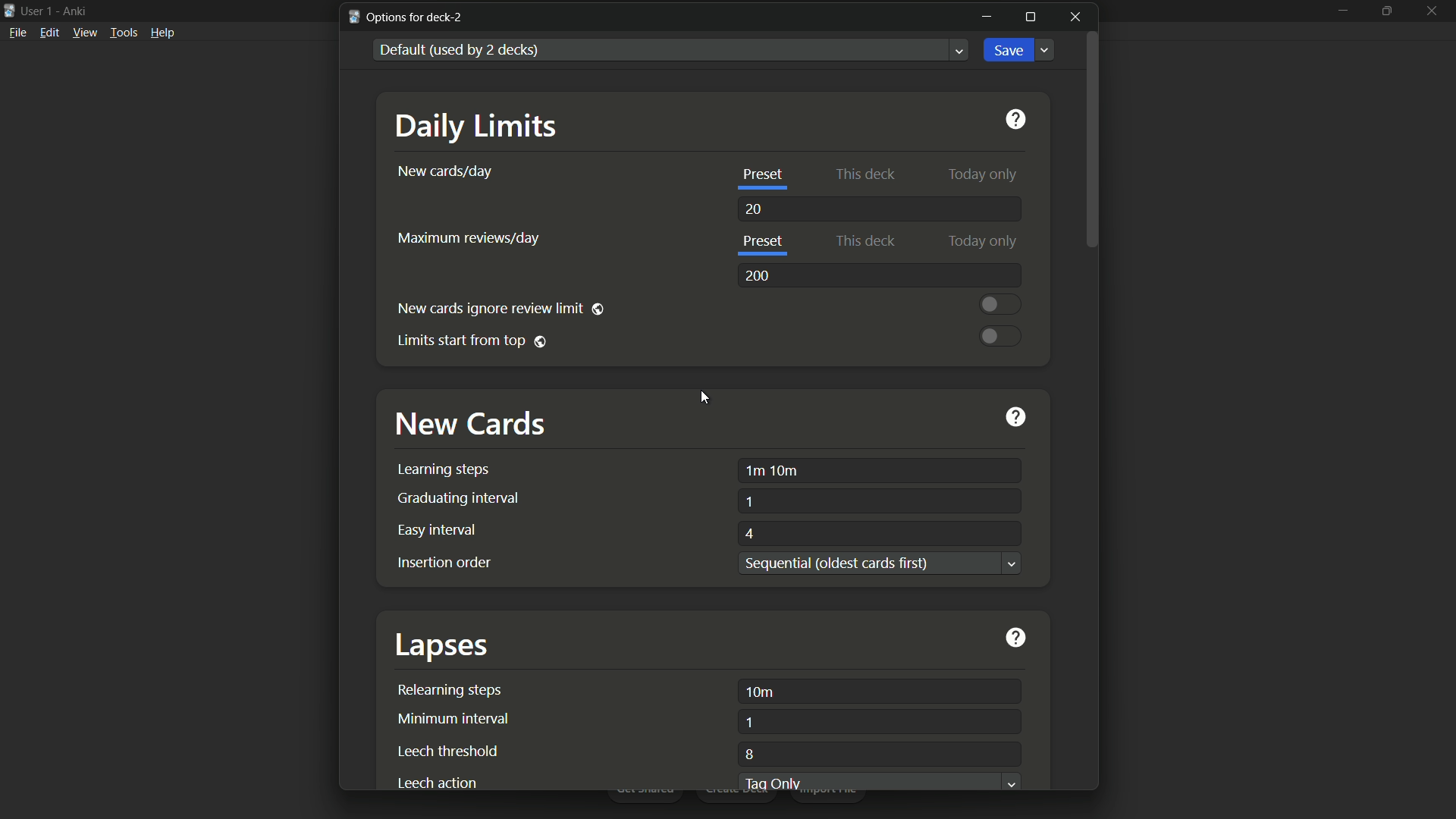 This screenshot has width=1456, height=819. Describe the element at coordinates (444, 782) in the screenshot. I see `leech action` at that location.